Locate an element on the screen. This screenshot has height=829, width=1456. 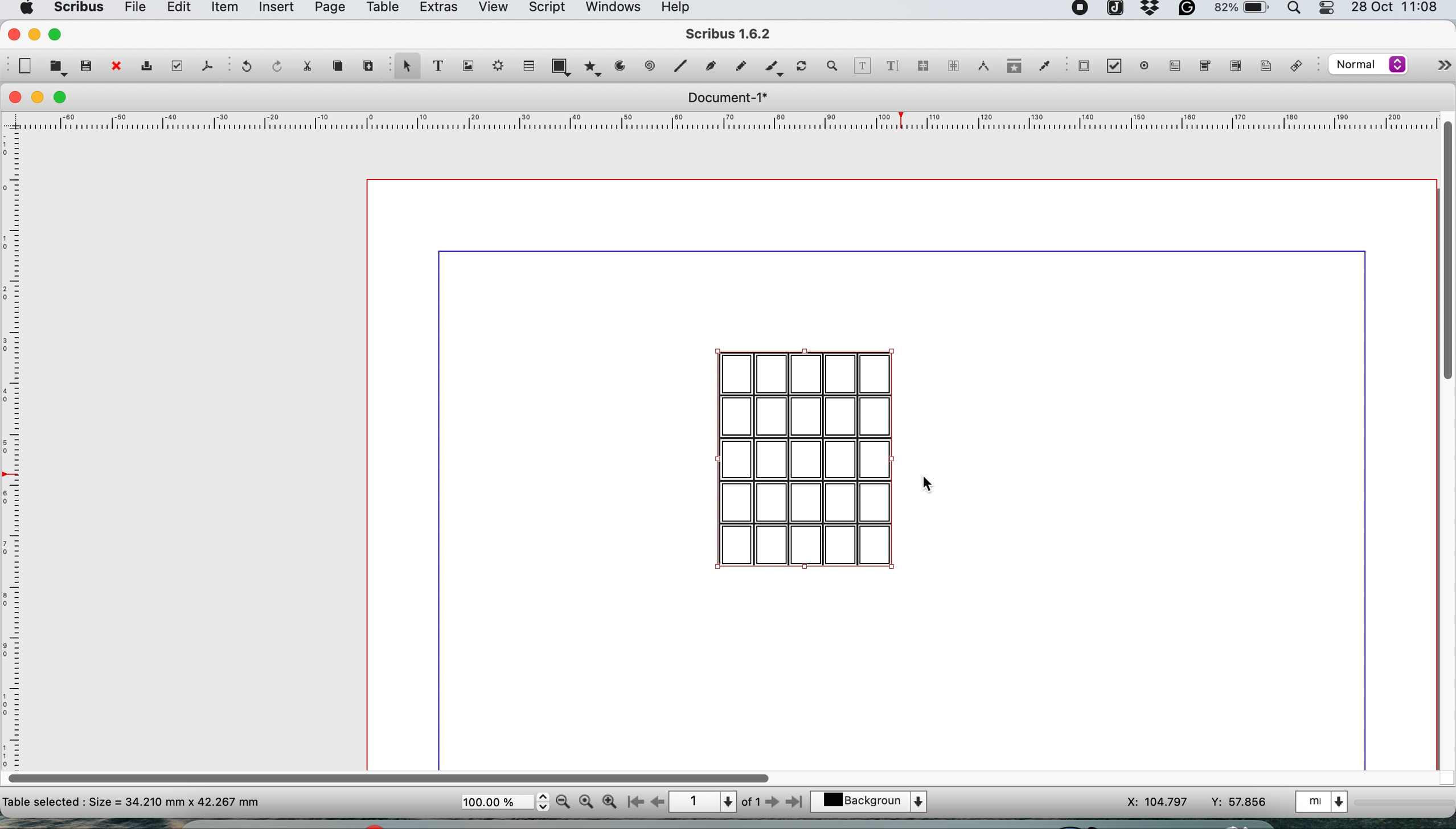
horizontal scroll bar is located at coordinates (392, 774).